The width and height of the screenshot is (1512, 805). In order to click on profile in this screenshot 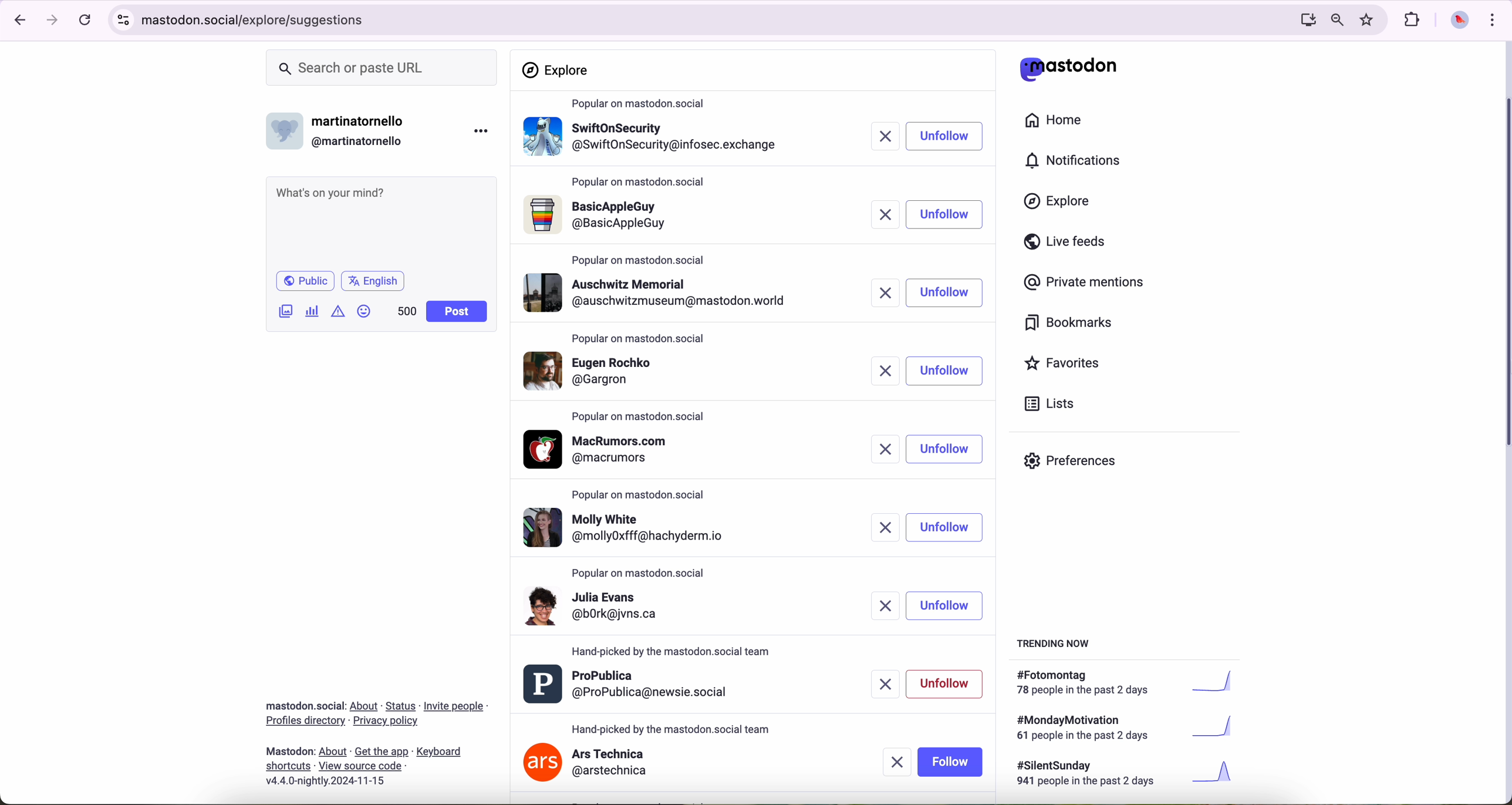, I will do `click(652, 141)`.